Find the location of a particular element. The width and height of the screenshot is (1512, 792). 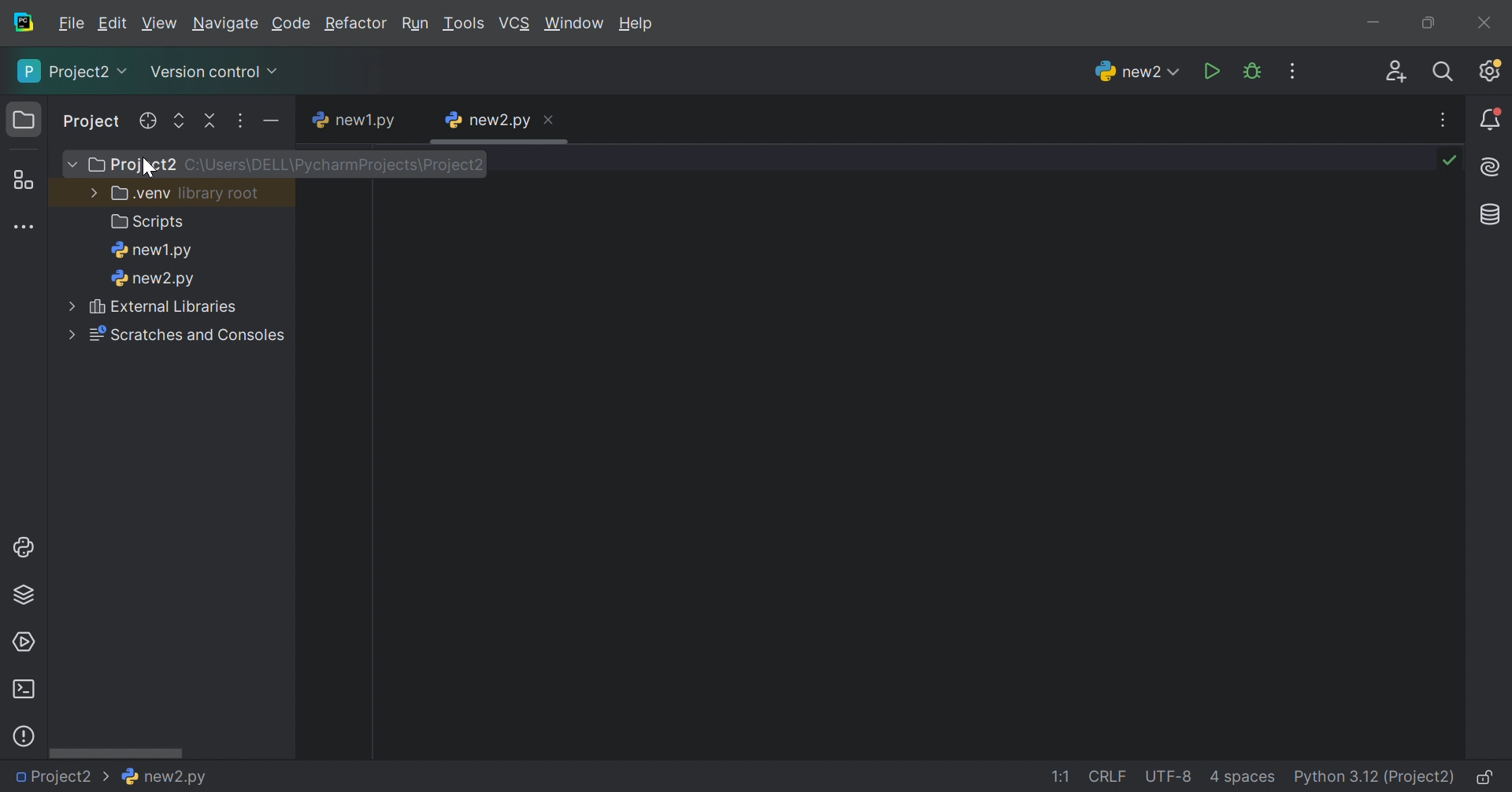

Project icon is located at coordinates (24, 117).